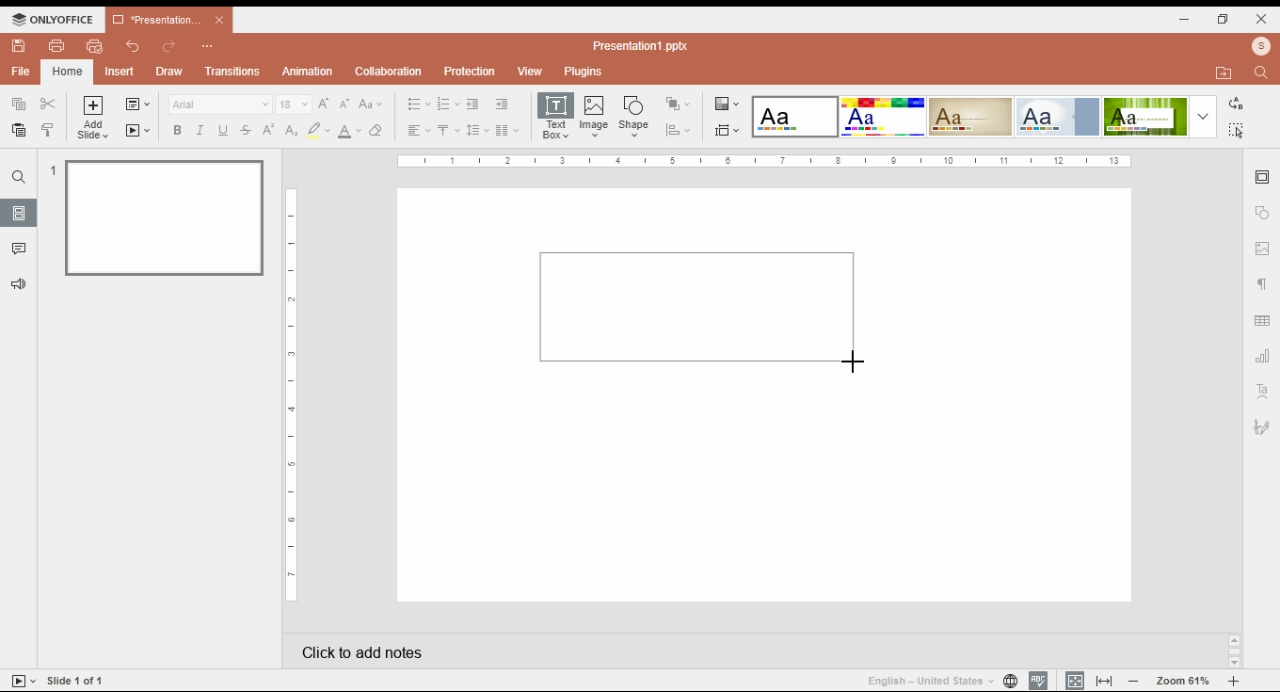  What do you see at coordinates (501, 104) in the screenshot?
I see `increase indent` at bounding box center [501, 104].